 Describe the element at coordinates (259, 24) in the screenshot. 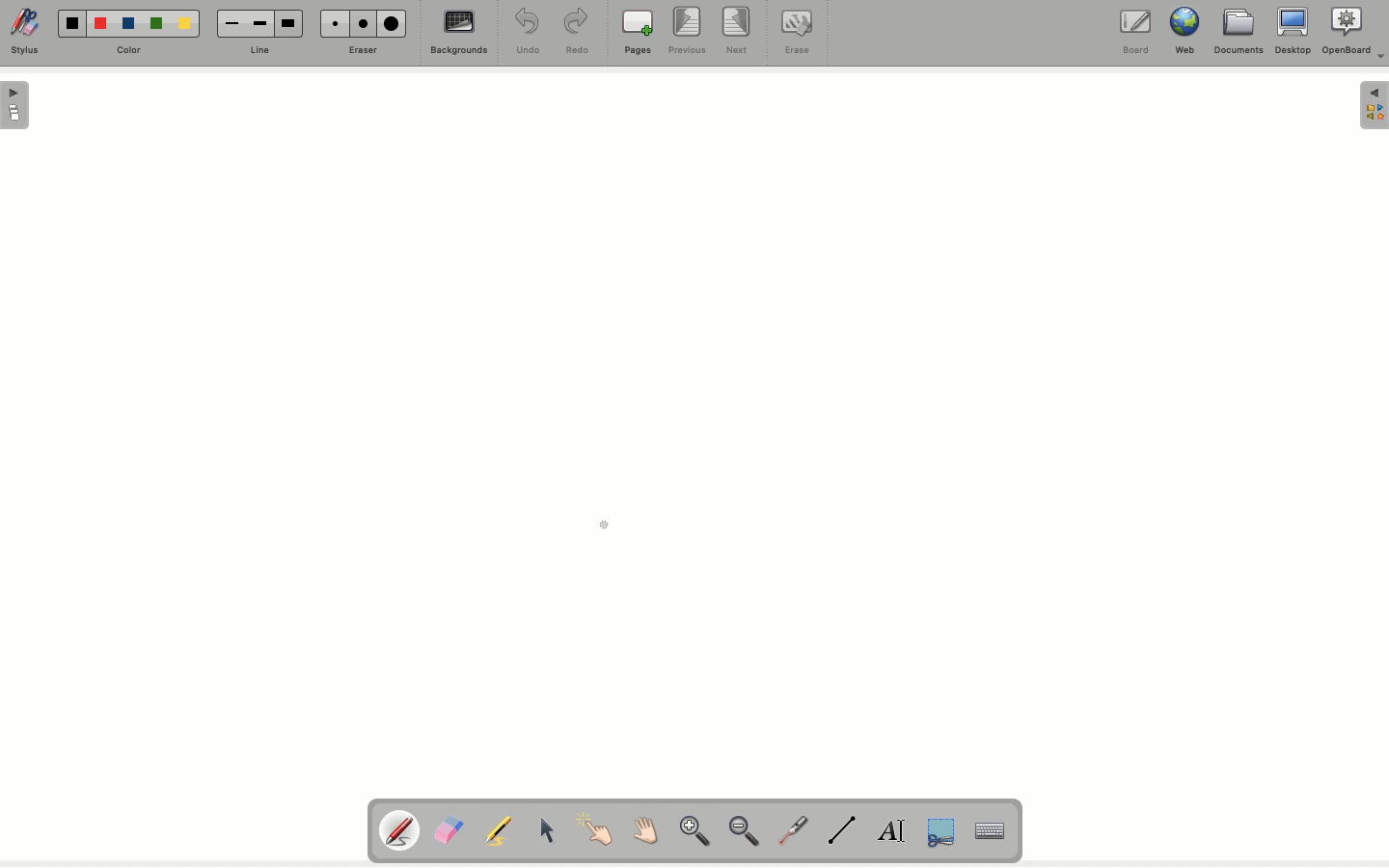

I see `Medium` at that location.